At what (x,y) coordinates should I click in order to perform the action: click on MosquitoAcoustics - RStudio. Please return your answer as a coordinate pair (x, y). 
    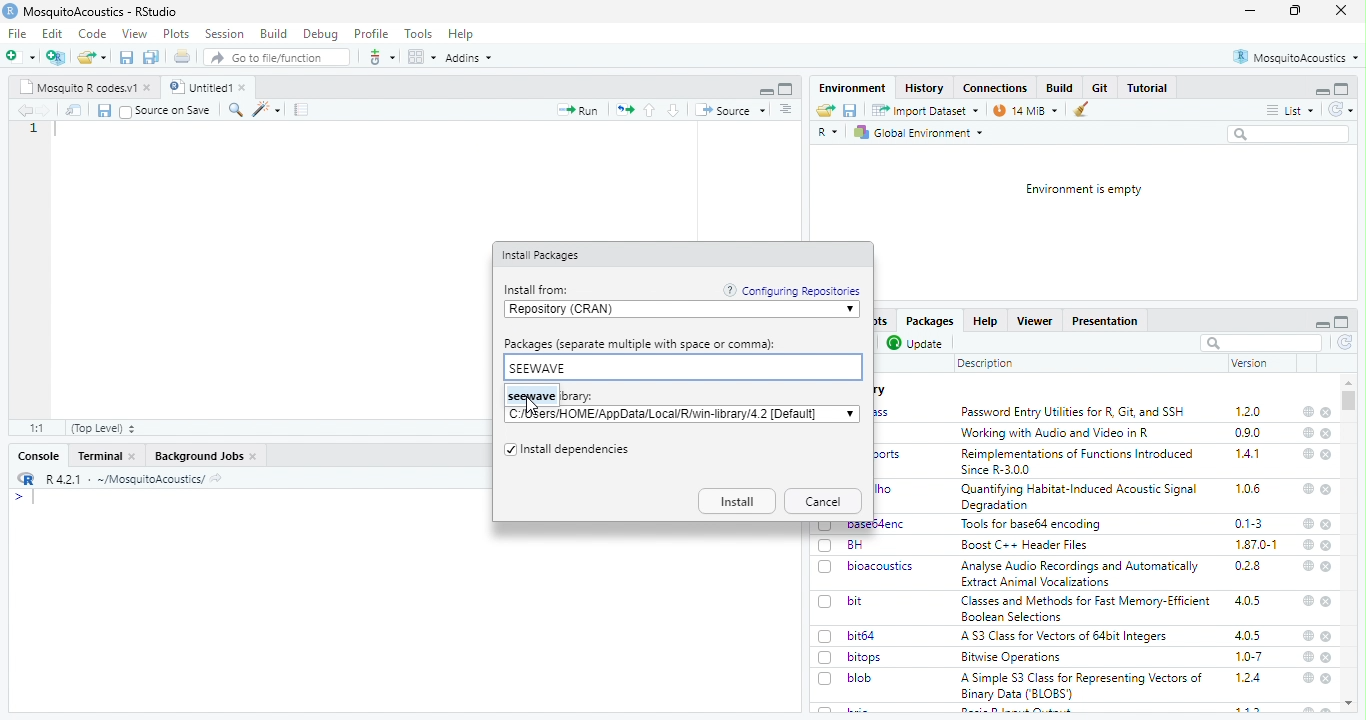
    Looking at the image, I should click on (101, 12).